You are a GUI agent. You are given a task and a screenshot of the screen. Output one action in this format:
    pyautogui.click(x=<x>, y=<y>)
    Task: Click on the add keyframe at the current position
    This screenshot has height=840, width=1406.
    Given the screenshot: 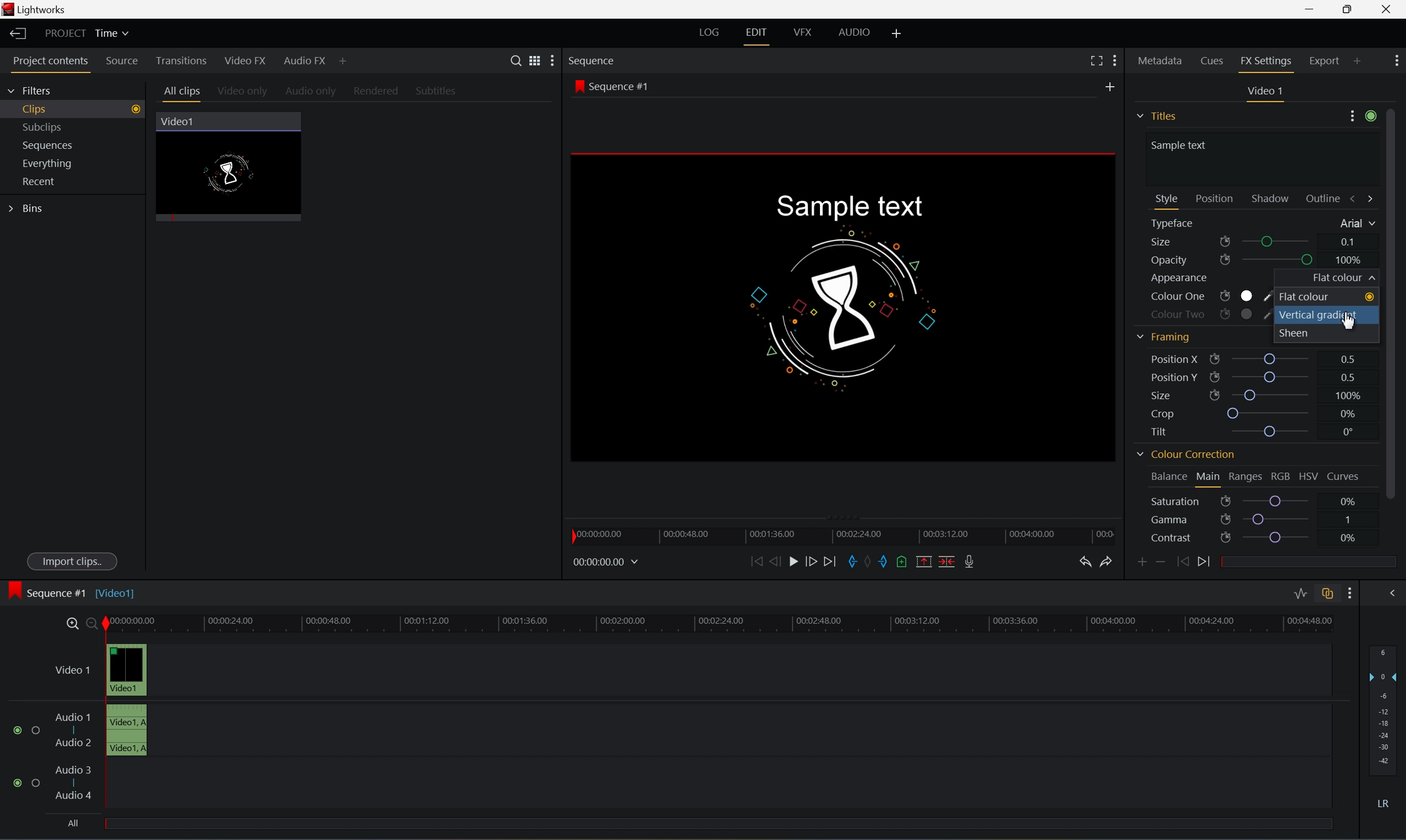 What is the action you would take?
    pyautogui.click(x=1143, y=562)
    